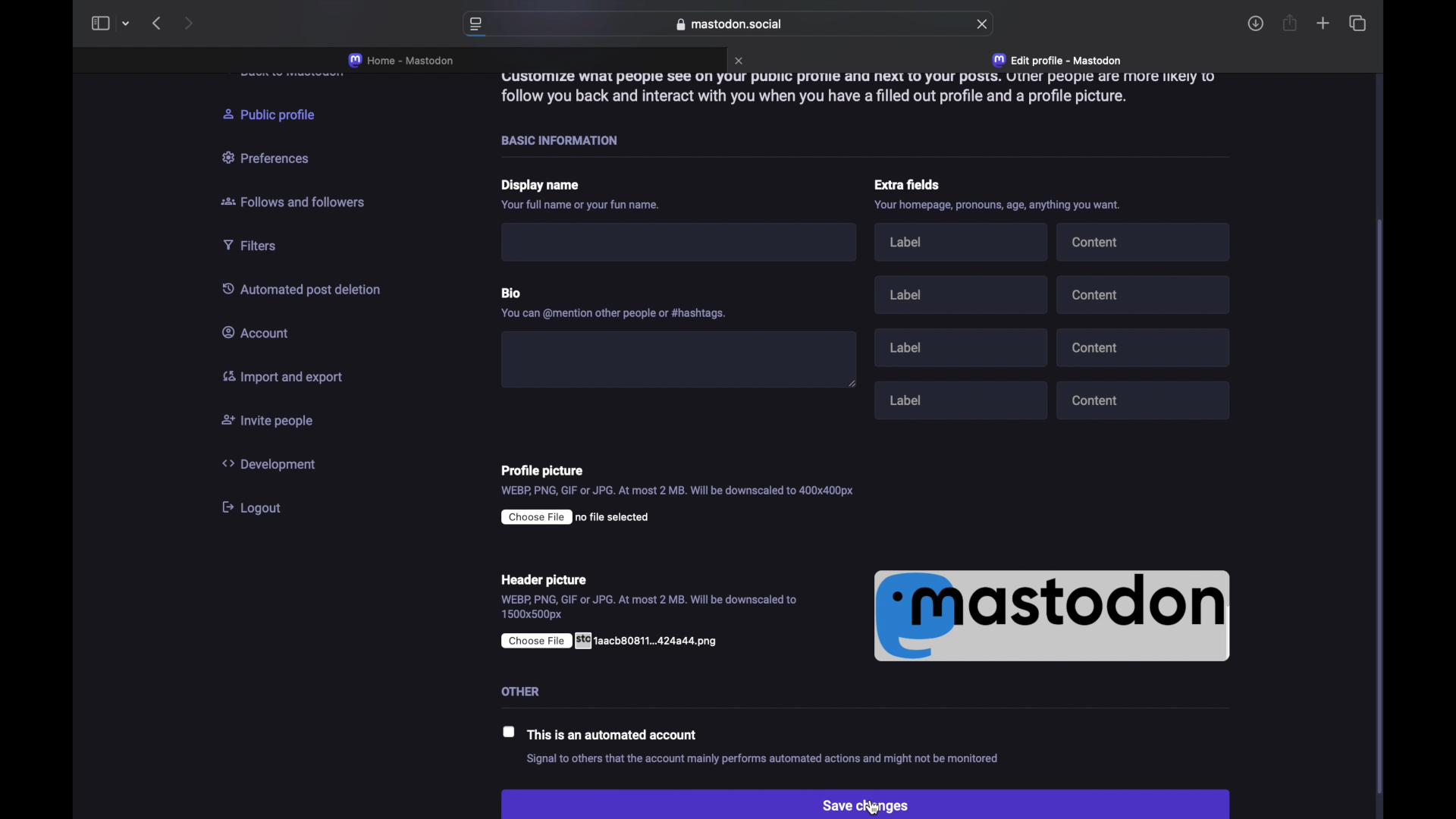 This screenshot has height=819, width=1456. I want to click on Development, so click(278, 465).